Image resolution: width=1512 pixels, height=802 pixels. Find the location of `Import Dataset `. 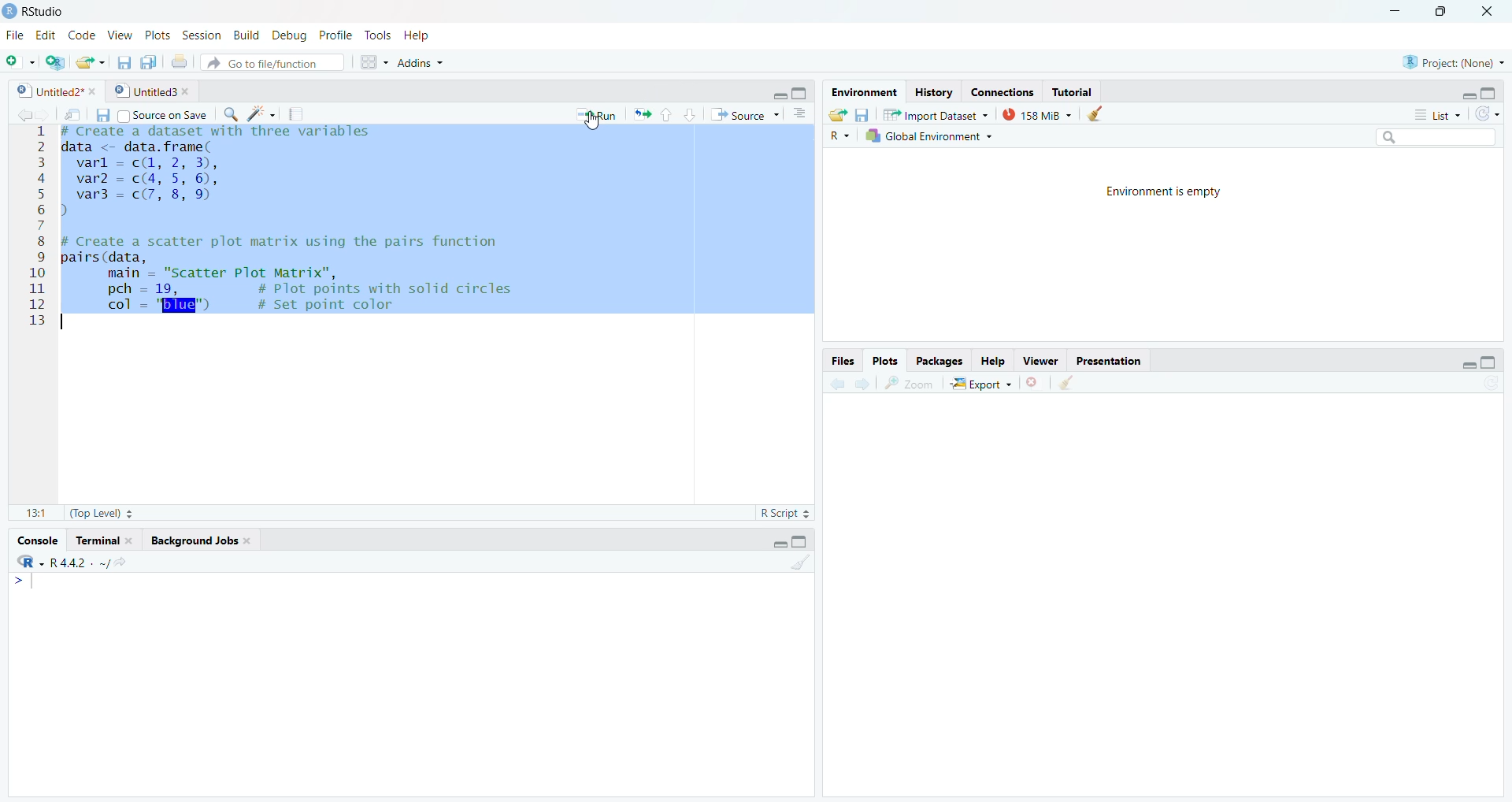

Import Dataset  is located at coordinates (941, 113).